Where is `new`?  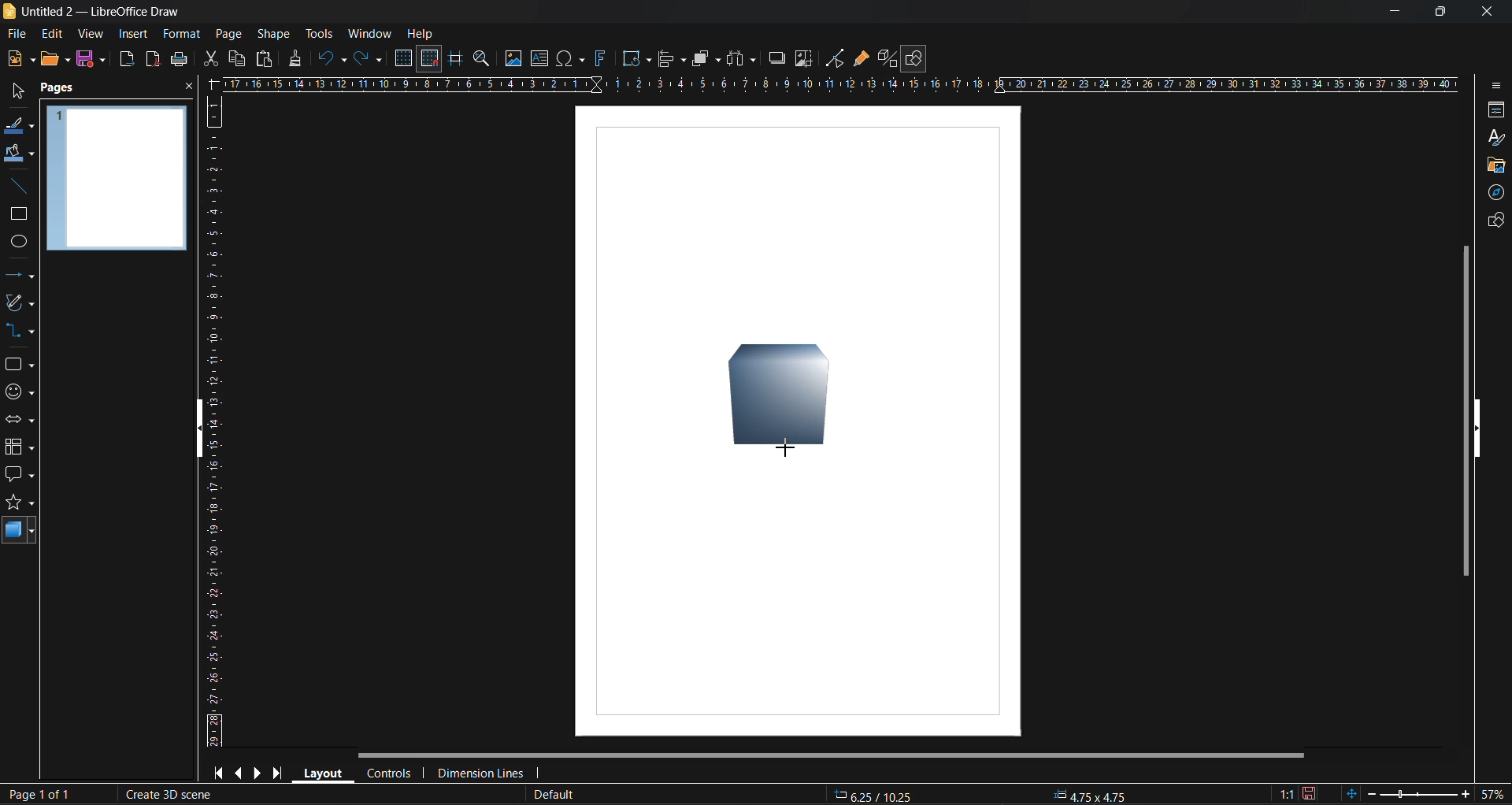 new is located at coordinates (21, 60).